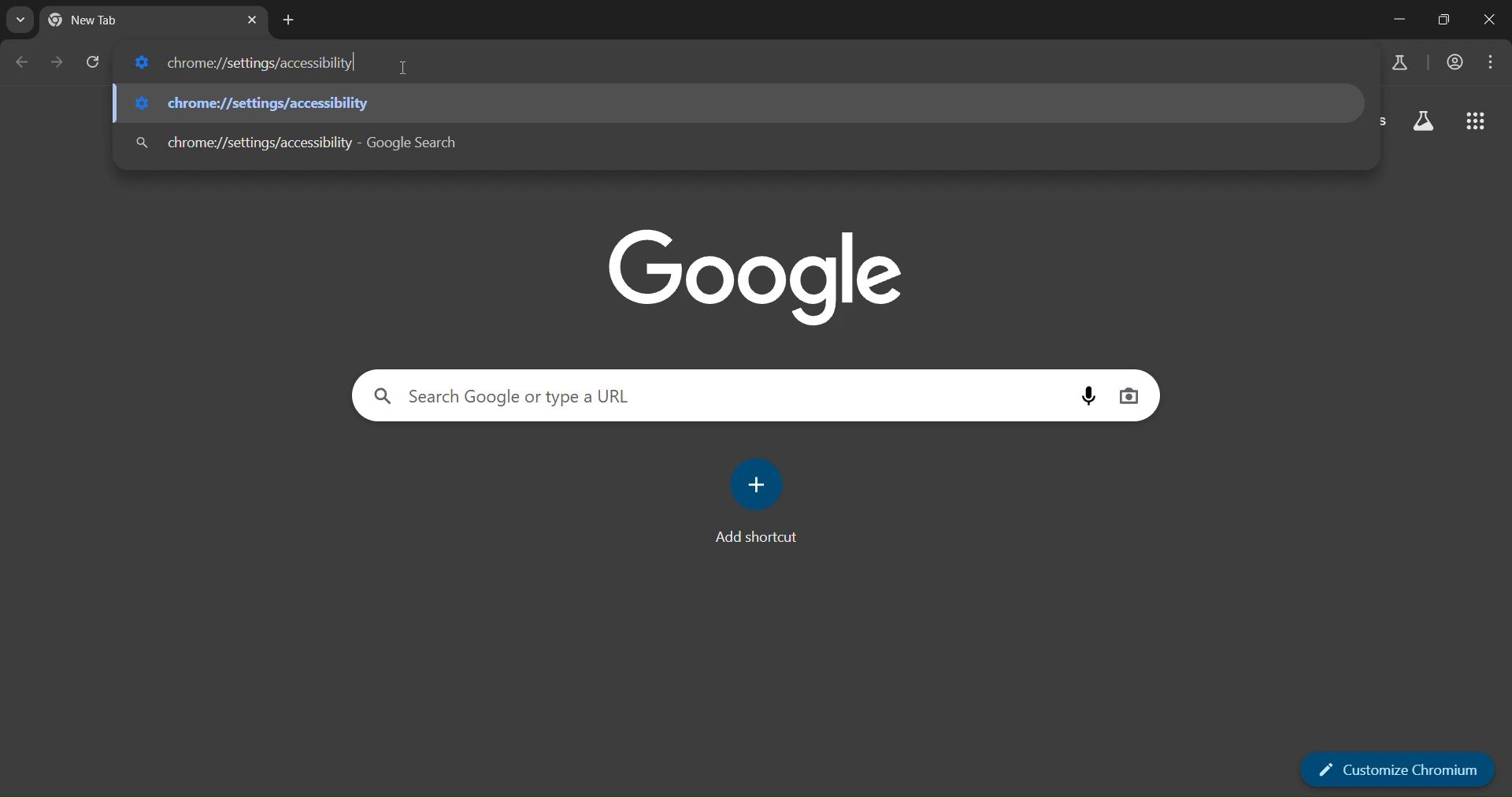  Describe the element at coordinates (1086, 395) in the screenshot. I see `voice search` at that location.